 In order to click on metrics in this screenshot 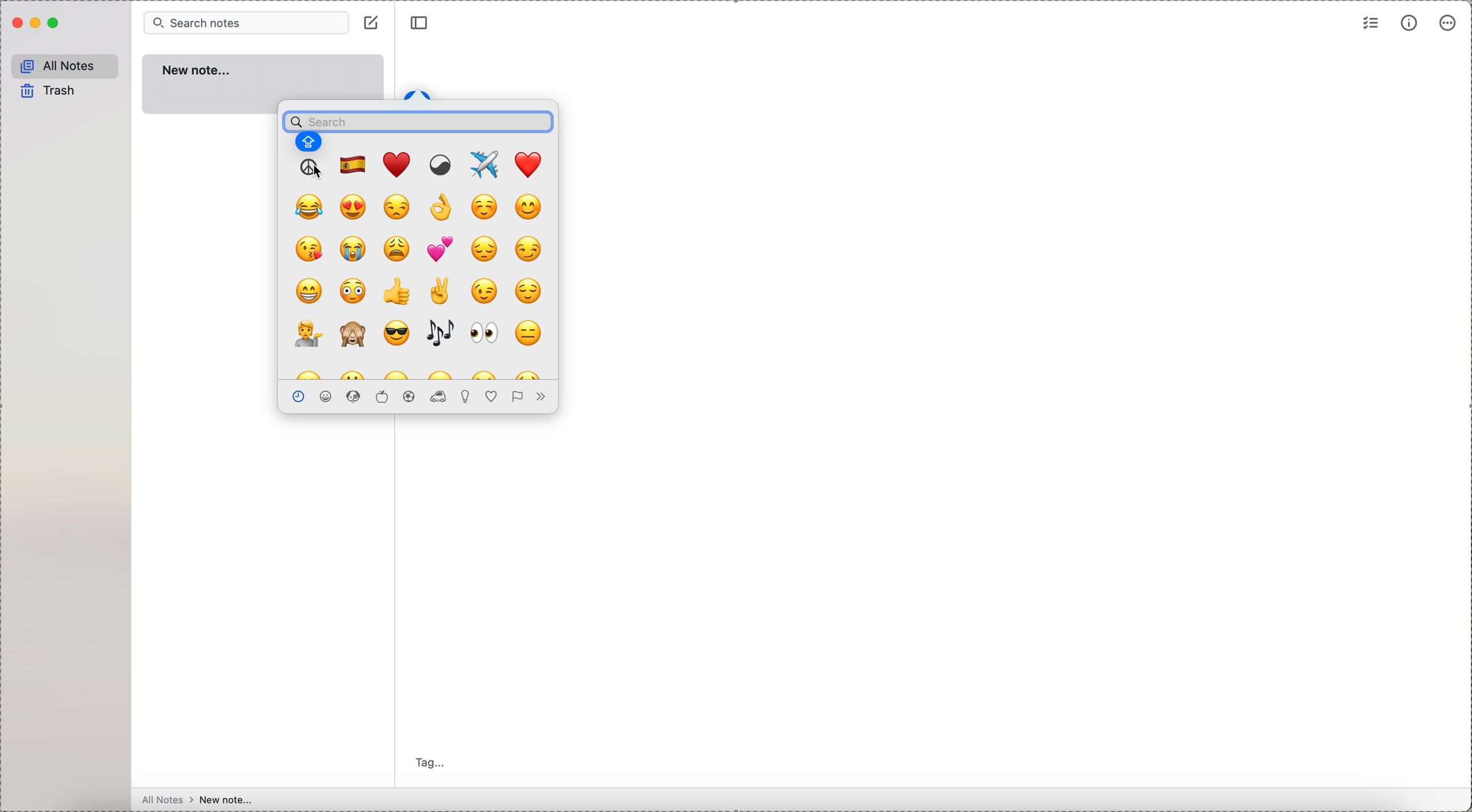, I will do `click(1409, 25)`.